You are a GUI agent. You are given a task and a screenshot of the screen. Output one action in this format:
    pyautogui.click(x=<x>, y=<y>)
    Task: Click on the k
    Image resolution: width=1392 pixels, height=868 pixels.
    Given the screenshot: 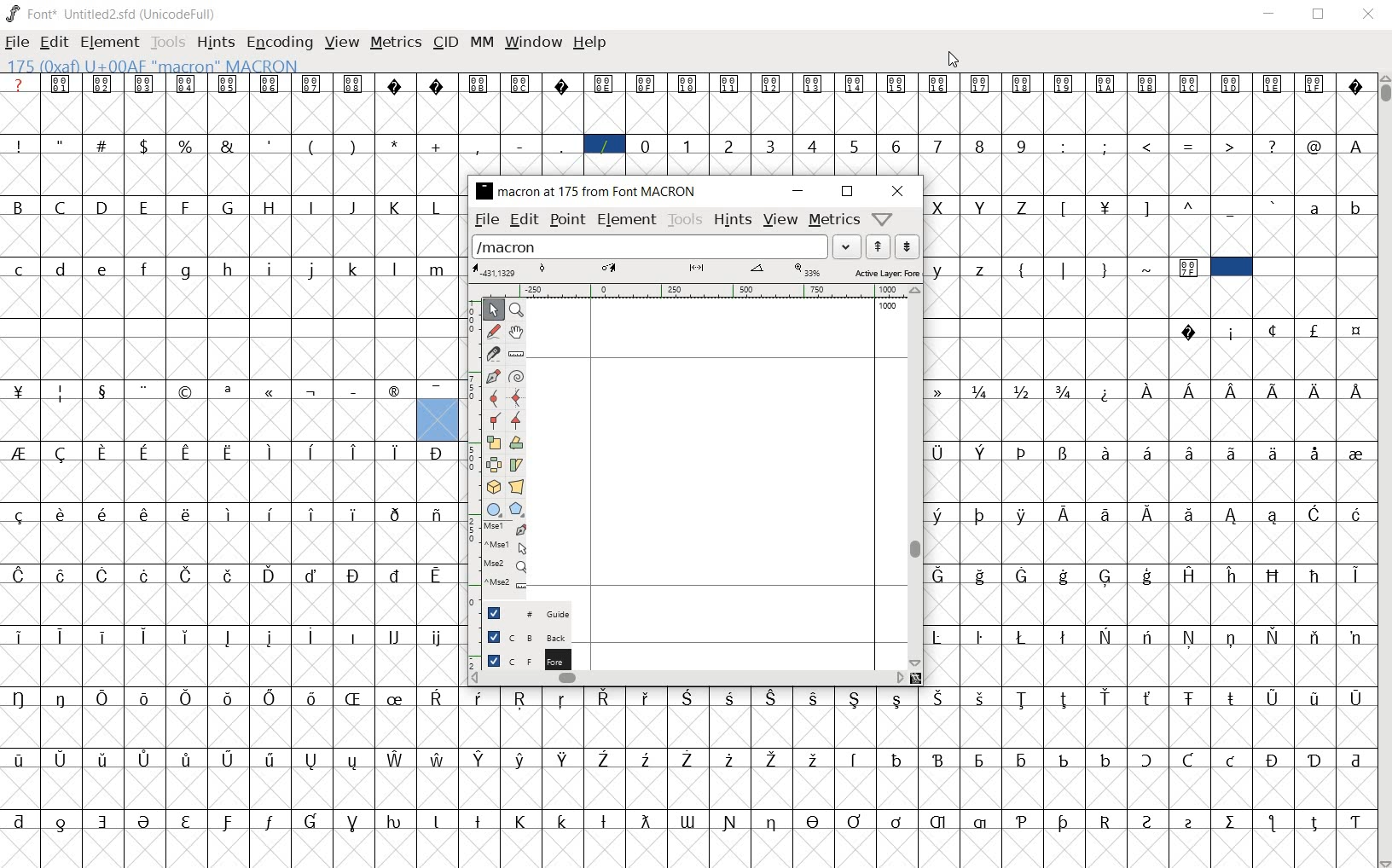 What is the action you would take?
    pyautogui.click(x=355, y=268)
    